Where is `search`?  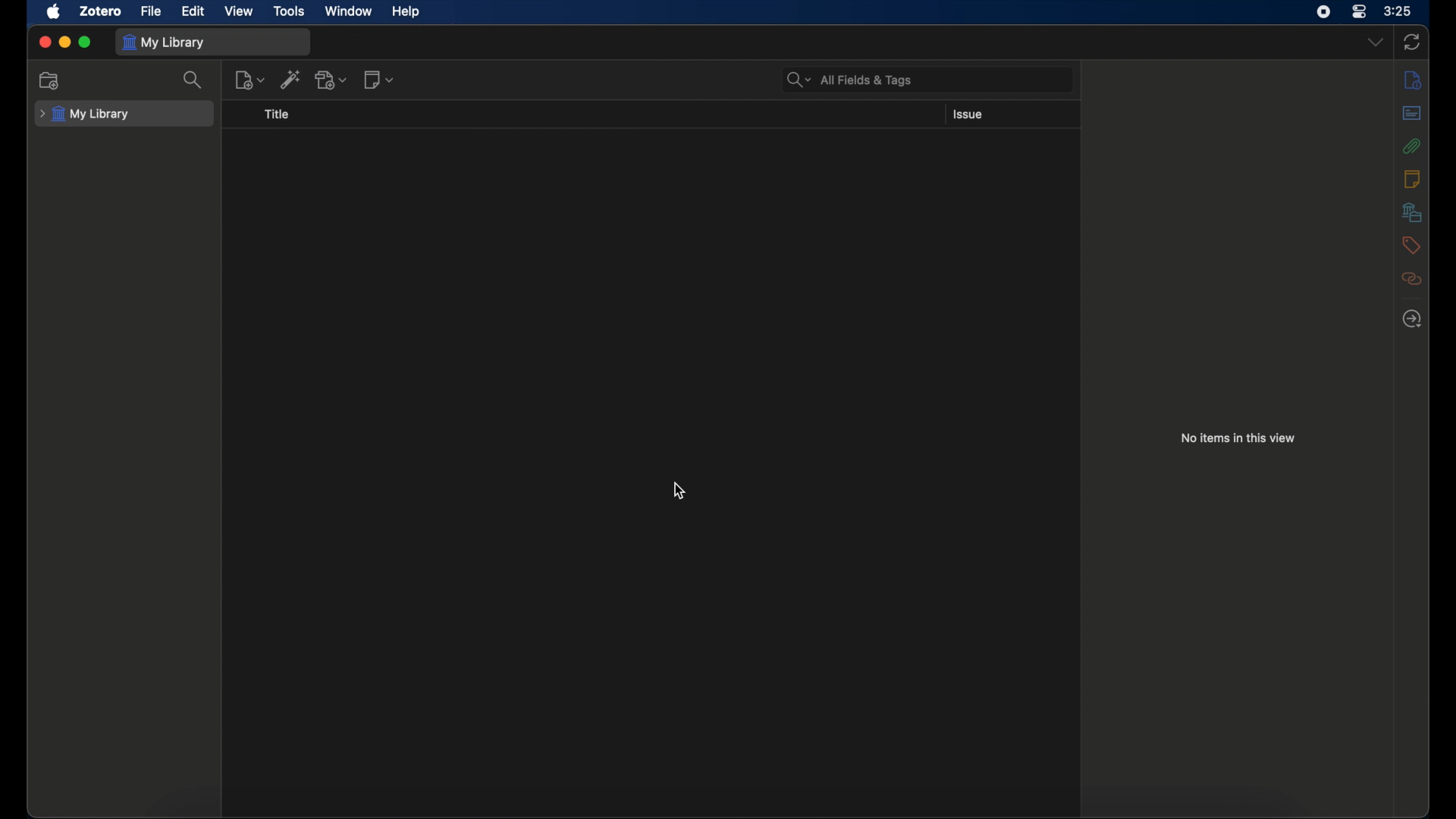 search is located at coordinates (194, 80).